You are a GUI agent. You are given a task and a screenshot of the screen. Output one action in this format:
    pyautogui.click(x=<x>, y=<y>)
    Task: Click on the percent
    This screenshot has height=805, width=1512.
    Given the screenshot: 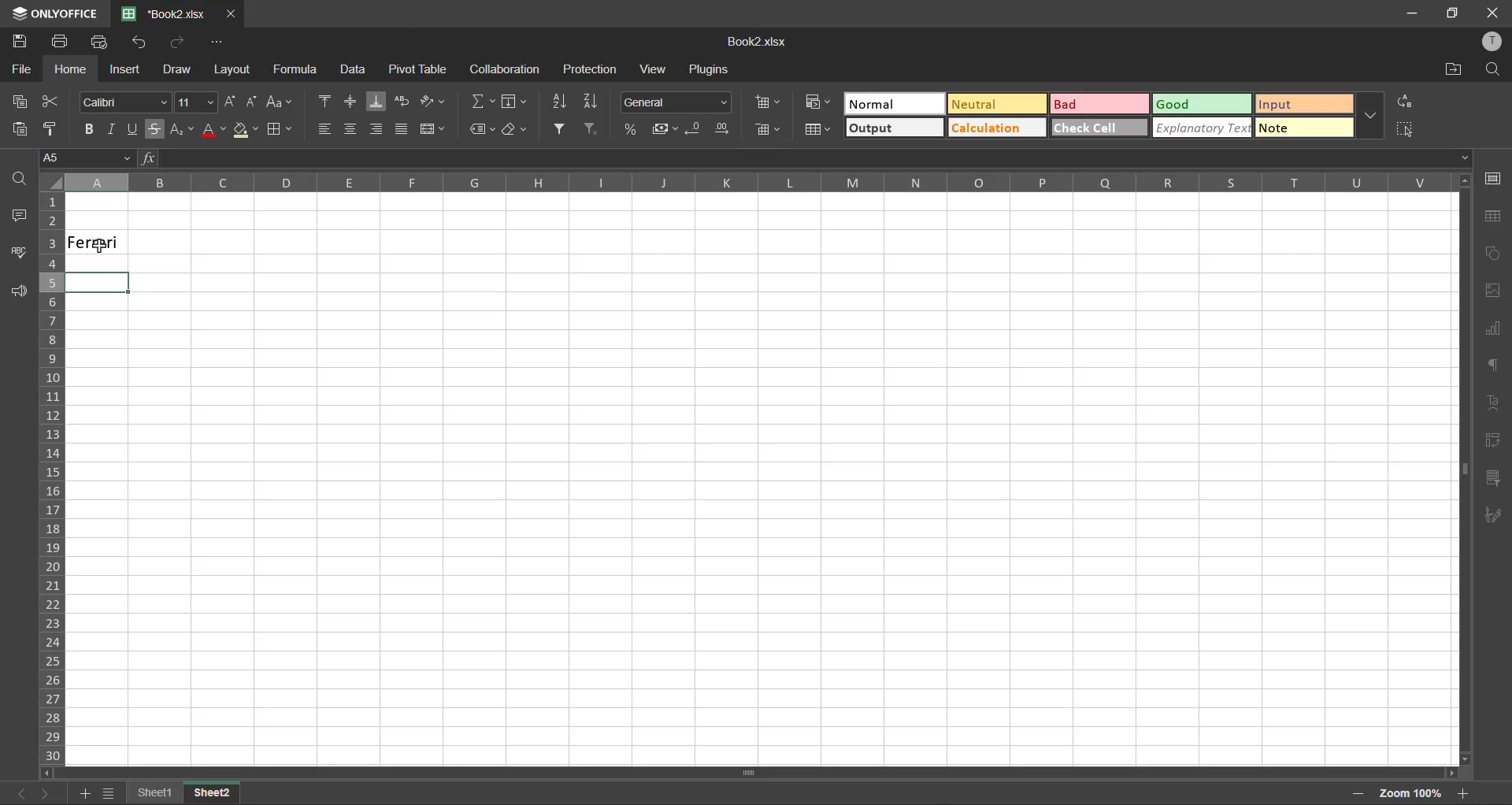 What is the action you would take?
    pyautogui.click(x=628, y=129)
    